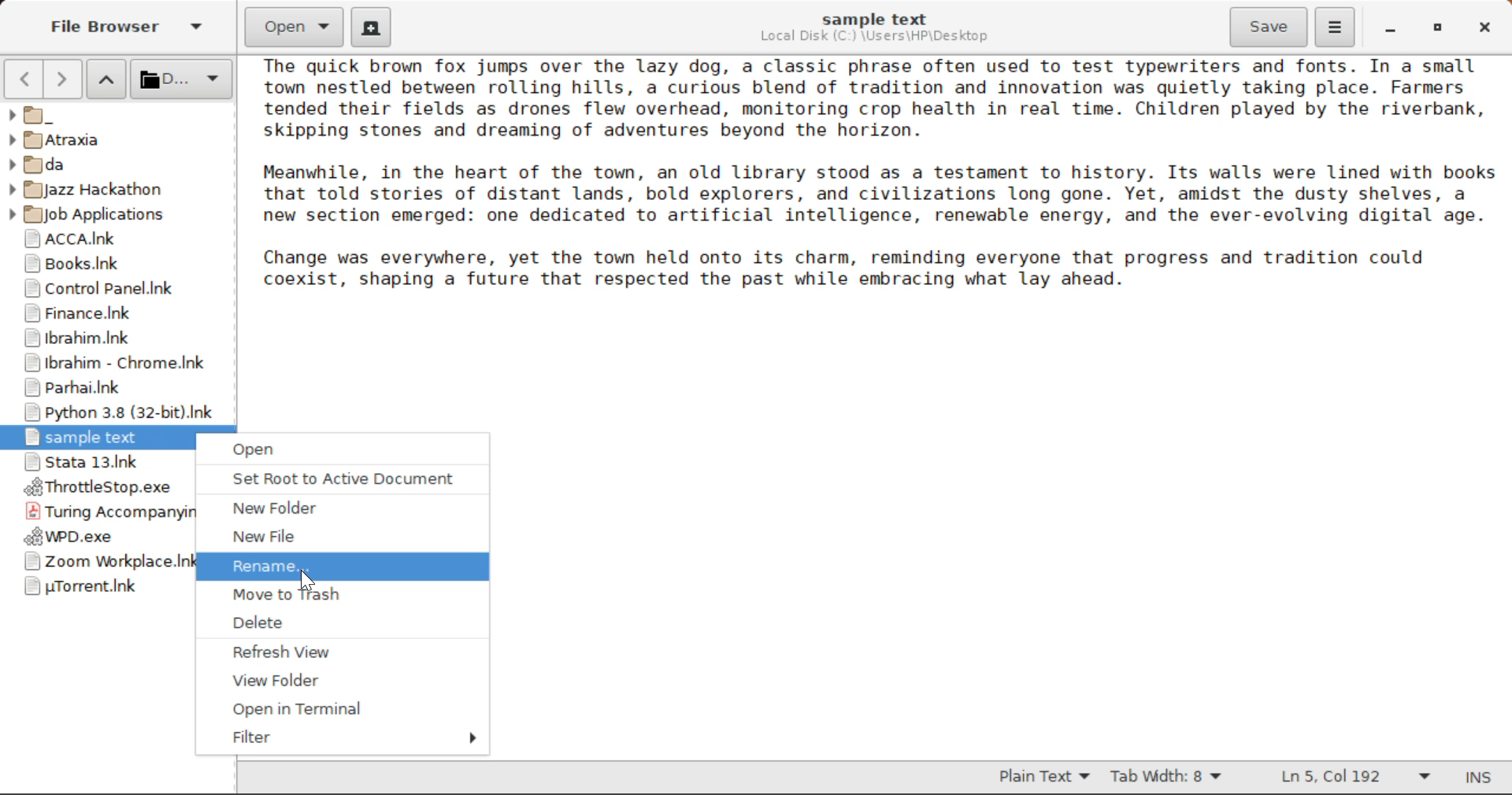 Image resolution: width=1512 pixels, height=795 pixels. I want to click on Filter, so click(342, 737).